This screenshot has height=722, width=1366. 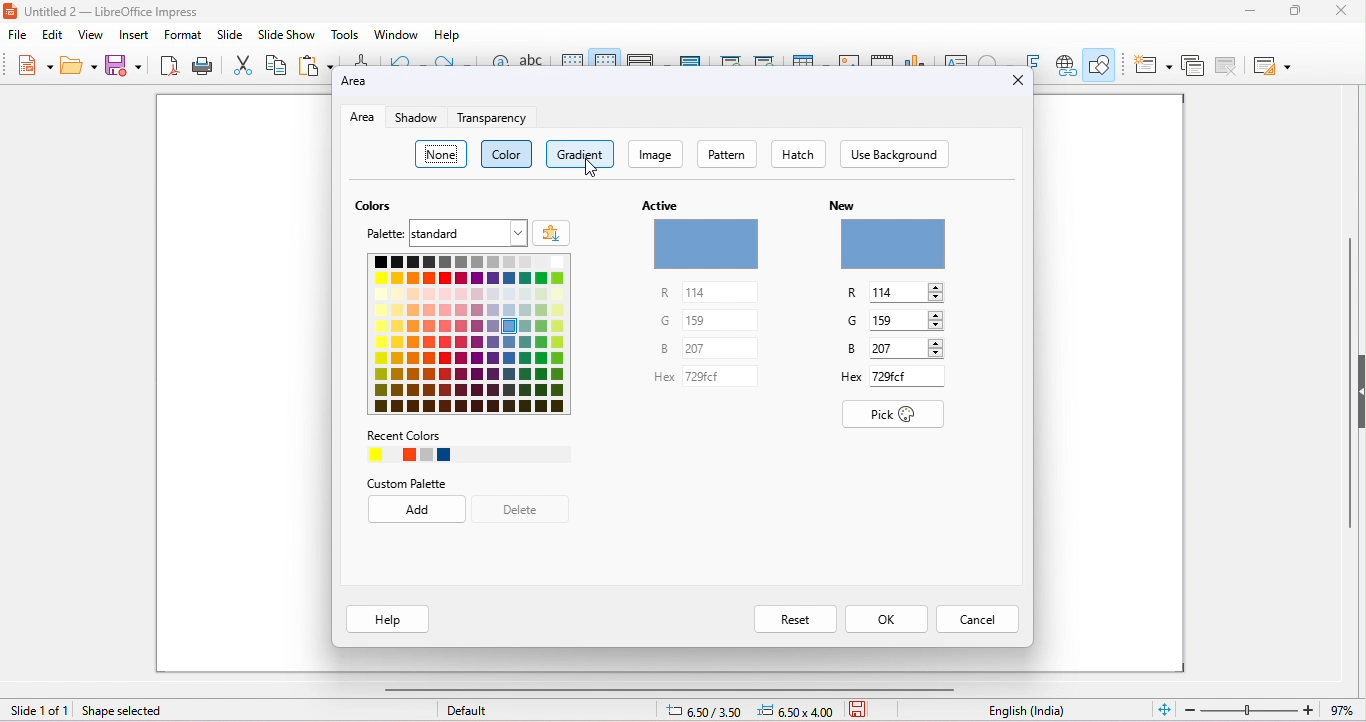 I want to click on untitled 2- libreoffice impress, so click(x=126, y=12).